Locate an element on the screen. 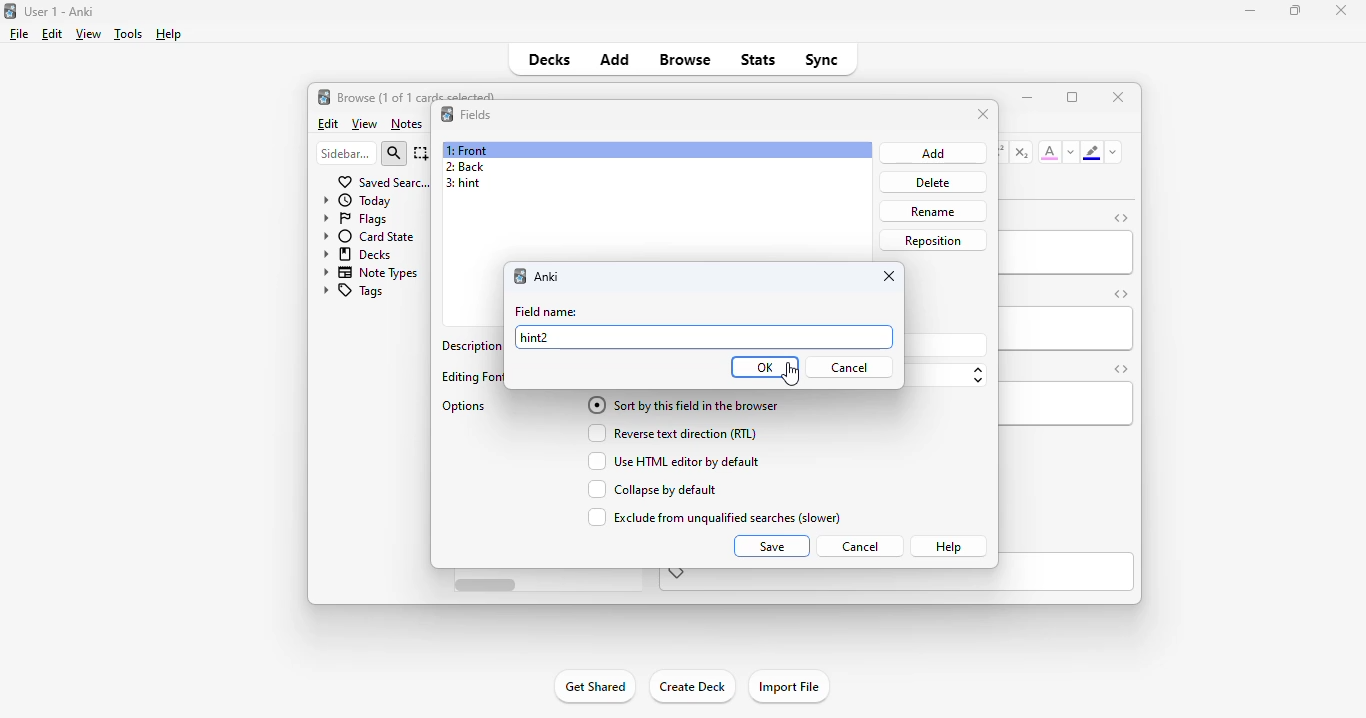  note types is located at coordinates (371, 272).